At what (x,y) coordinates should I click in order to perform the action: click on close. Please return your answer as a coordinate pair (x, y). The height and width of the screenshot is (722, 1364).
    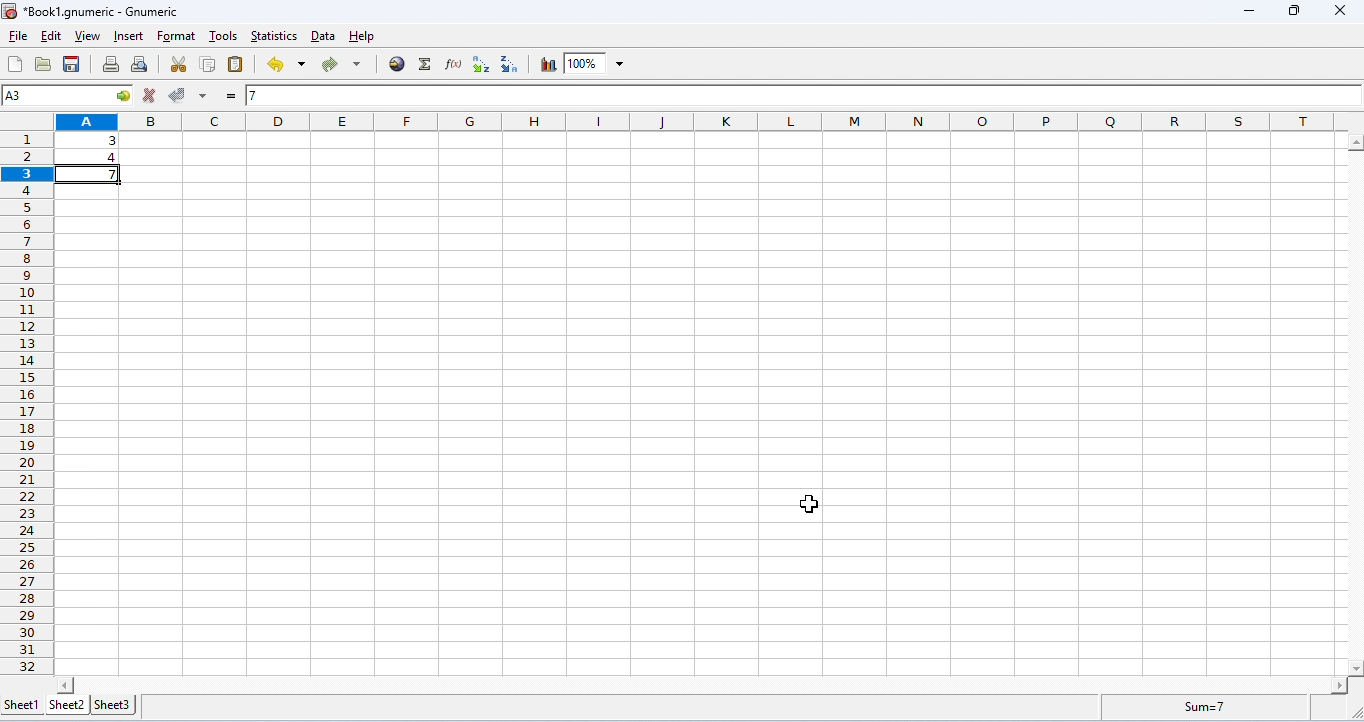
    Looking at the image, I should click on (1338, 10).